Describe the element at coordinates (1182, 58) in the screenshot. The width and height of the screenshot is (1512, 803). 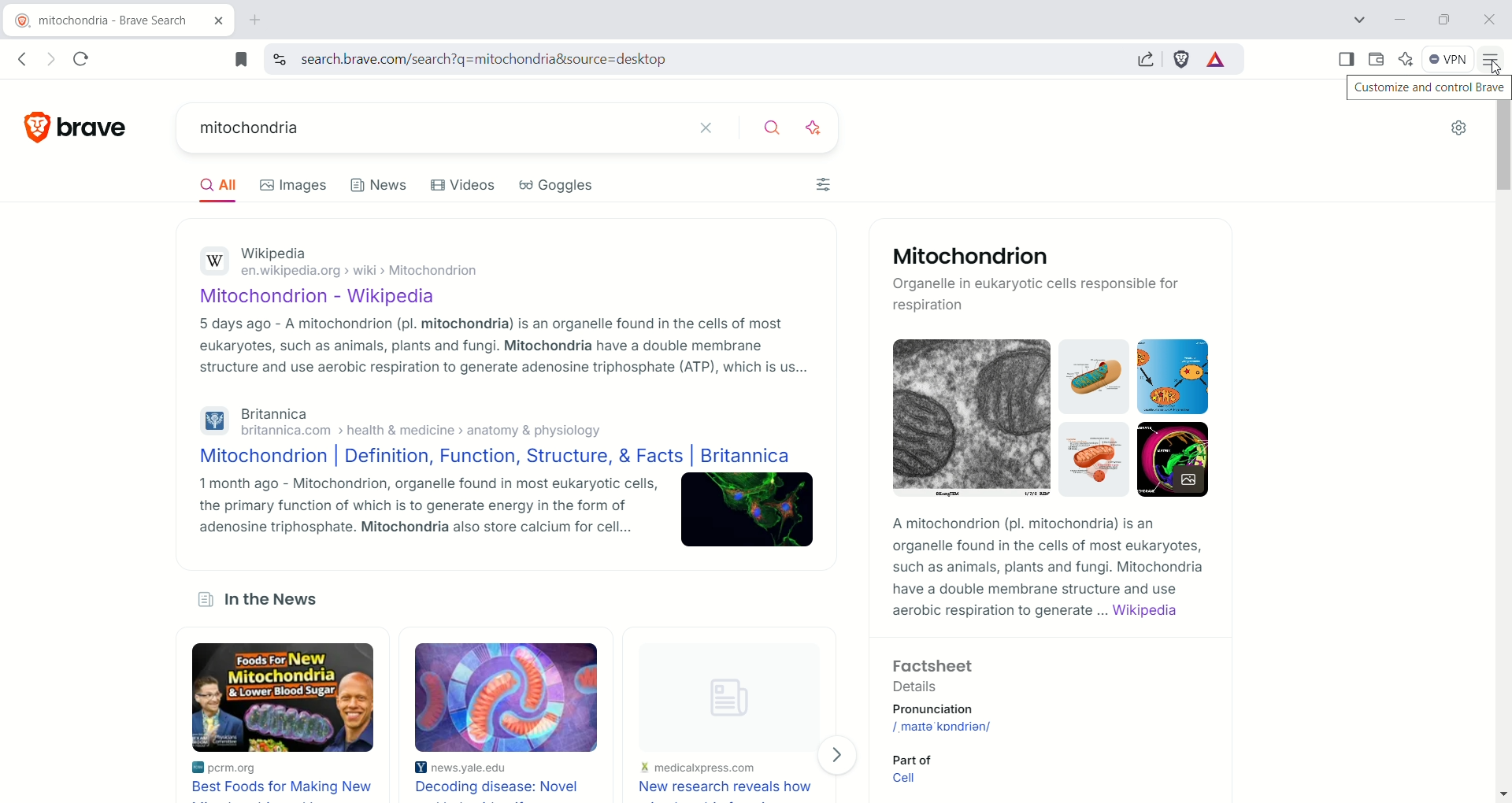
I see `brave schields` at that location.